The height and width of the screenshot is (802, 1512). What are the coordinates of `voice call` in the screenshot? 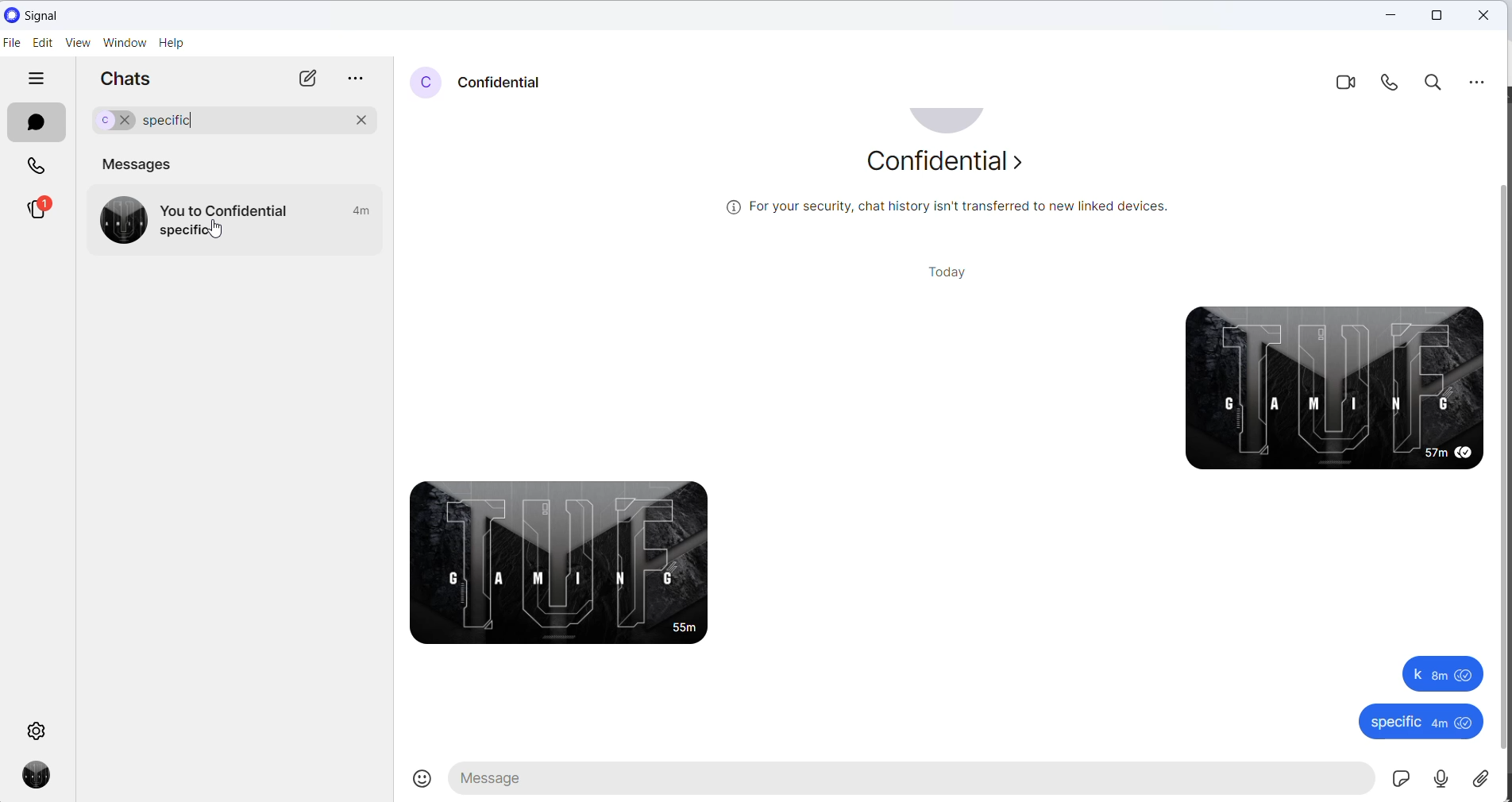 It's located at (1397, 83).